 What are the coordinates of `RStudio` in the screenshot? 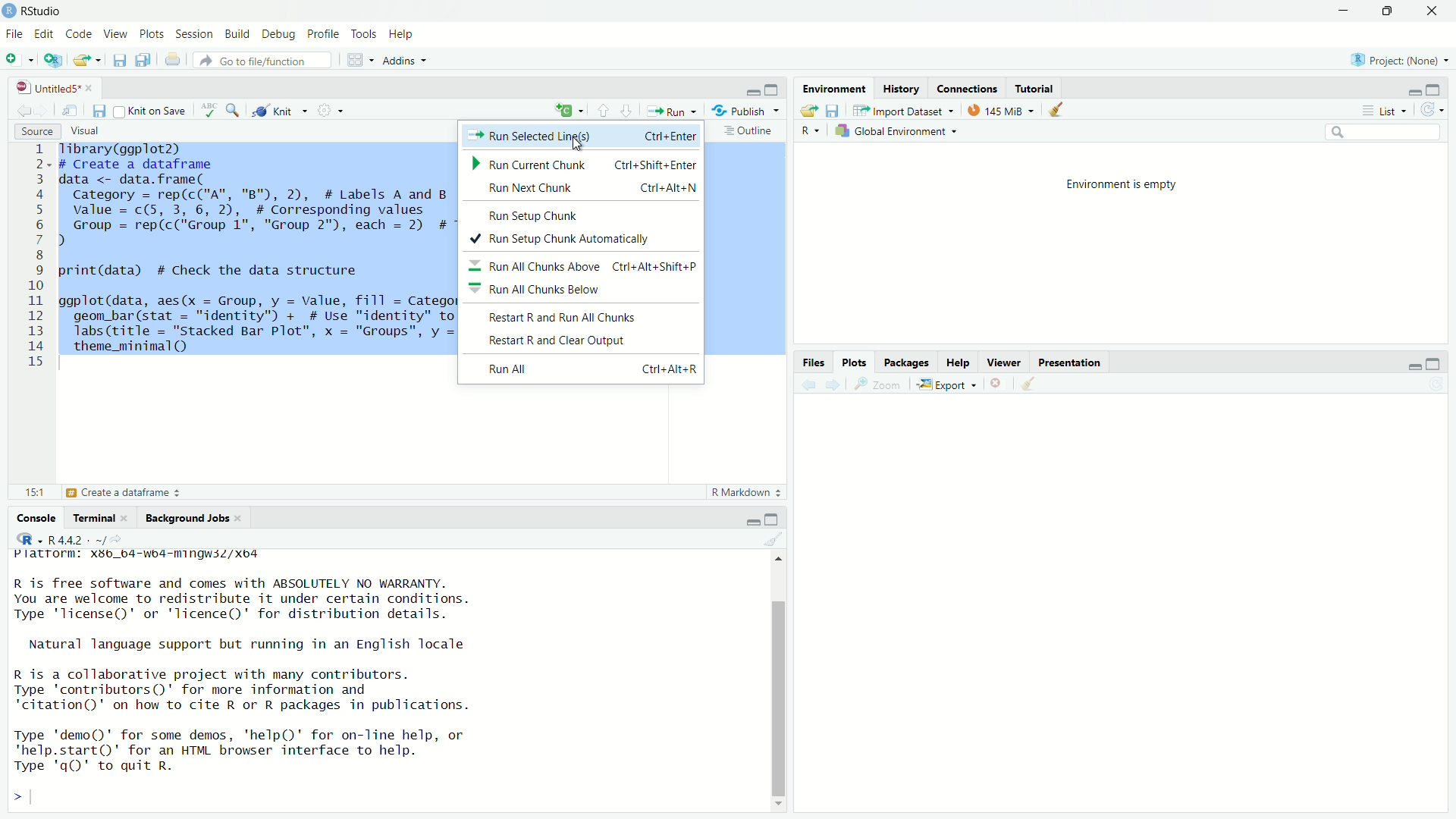 It's located at (37, 10).